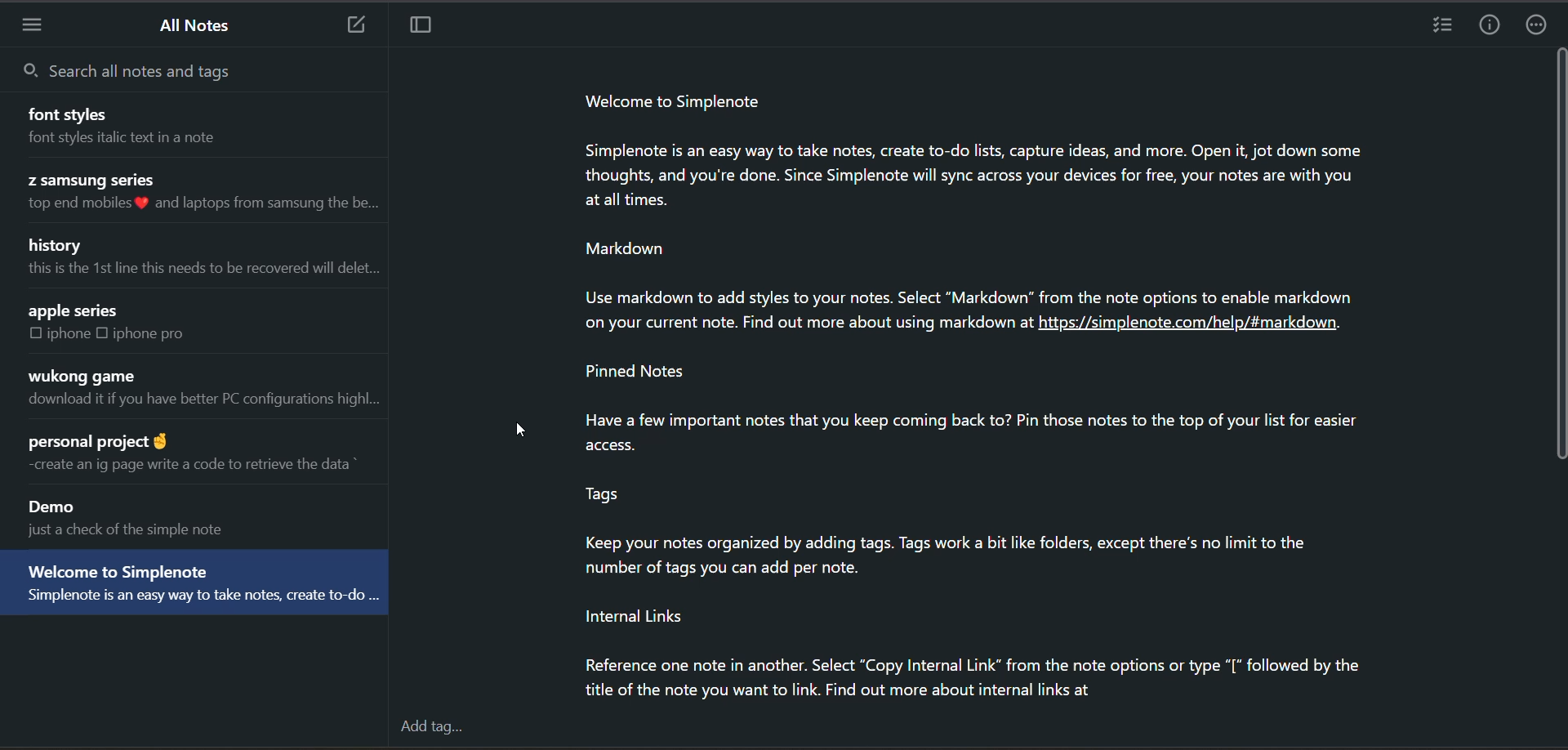 The image size is (1568, 750). Describe the element at coordinates (87, 308) in the screenshot. I see `apple series` at that location.